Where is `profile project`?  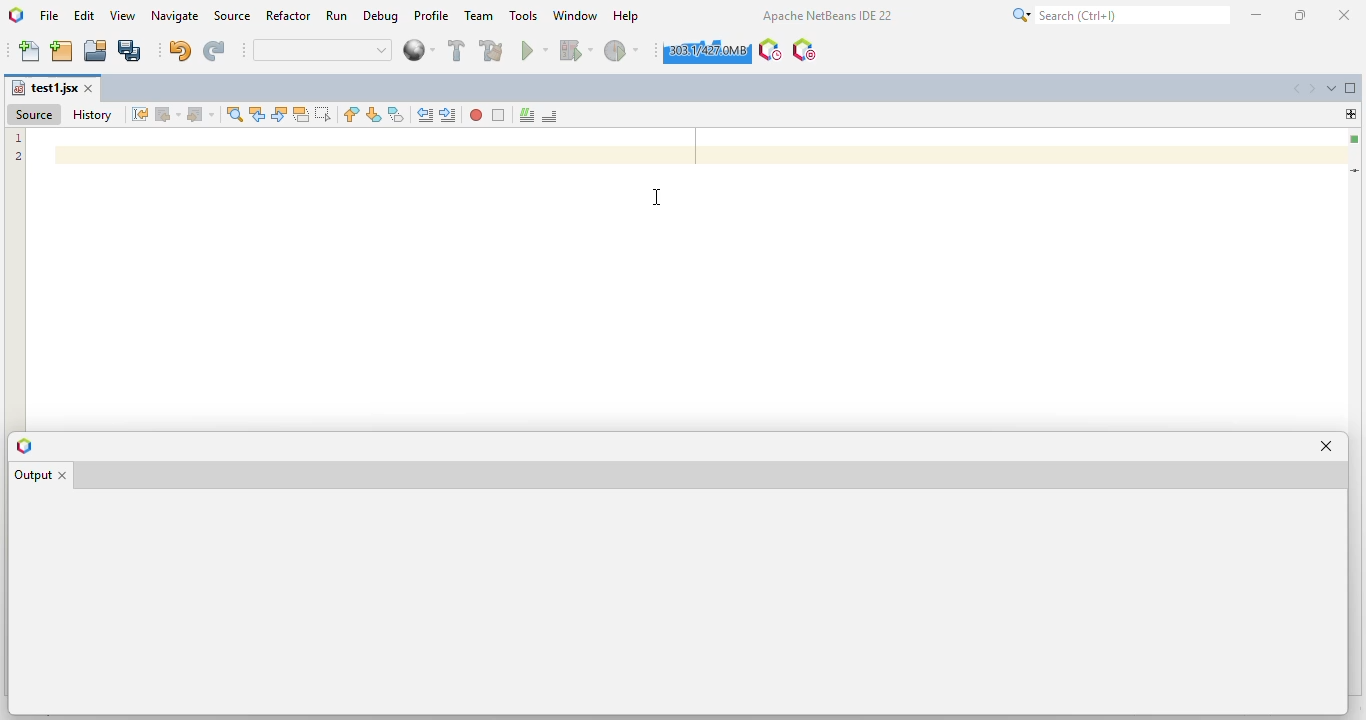 profile project is located at coordinates (622, 50).